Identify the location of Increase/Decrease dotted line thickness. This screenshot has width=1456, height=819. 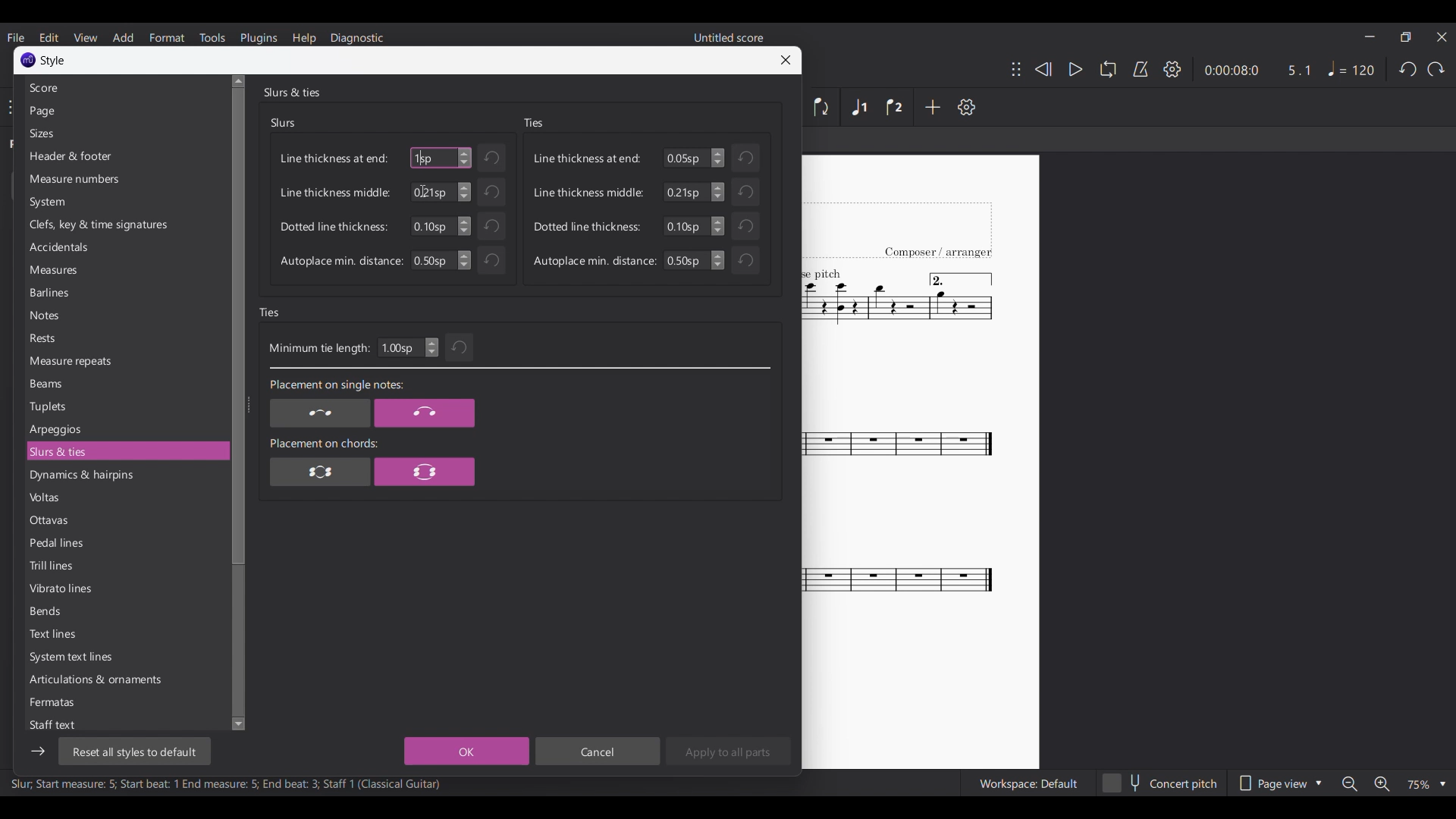
(464, 226).